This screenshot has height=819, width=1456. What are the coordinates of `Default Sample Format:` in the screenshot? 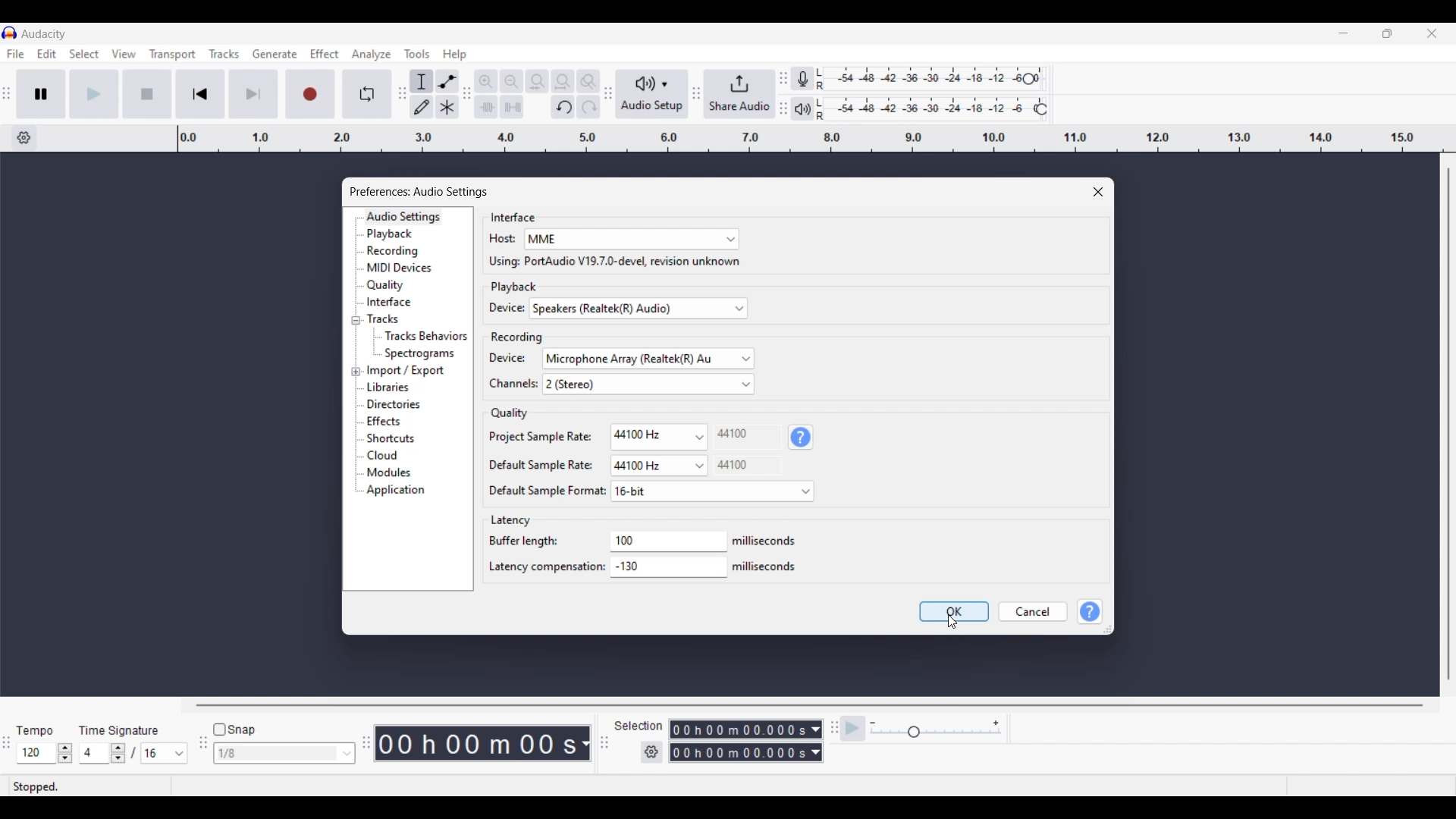 It's located at (538, 492).